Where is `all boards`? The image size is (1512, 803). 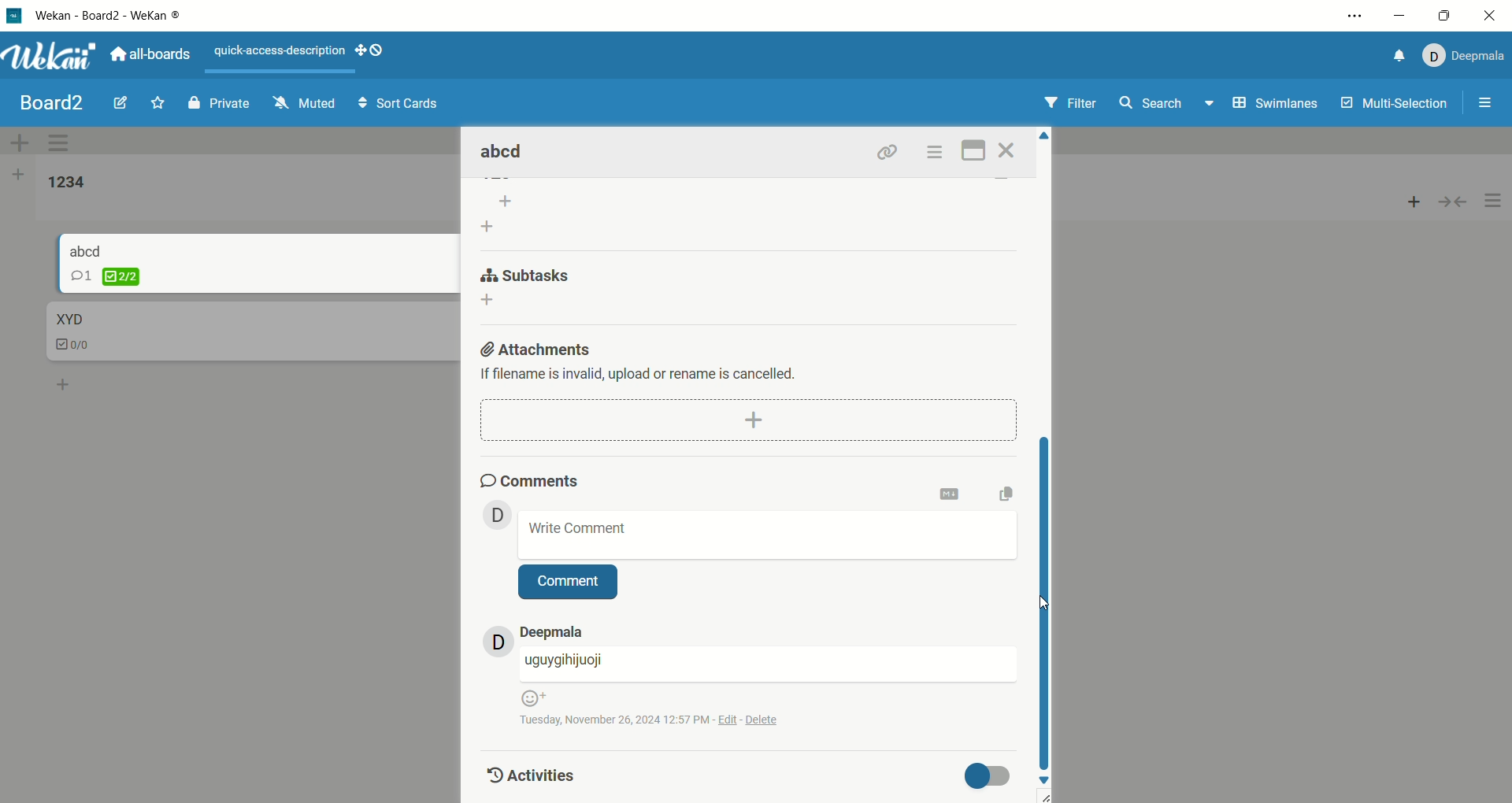 all boards is located at coordinates (150, 53).